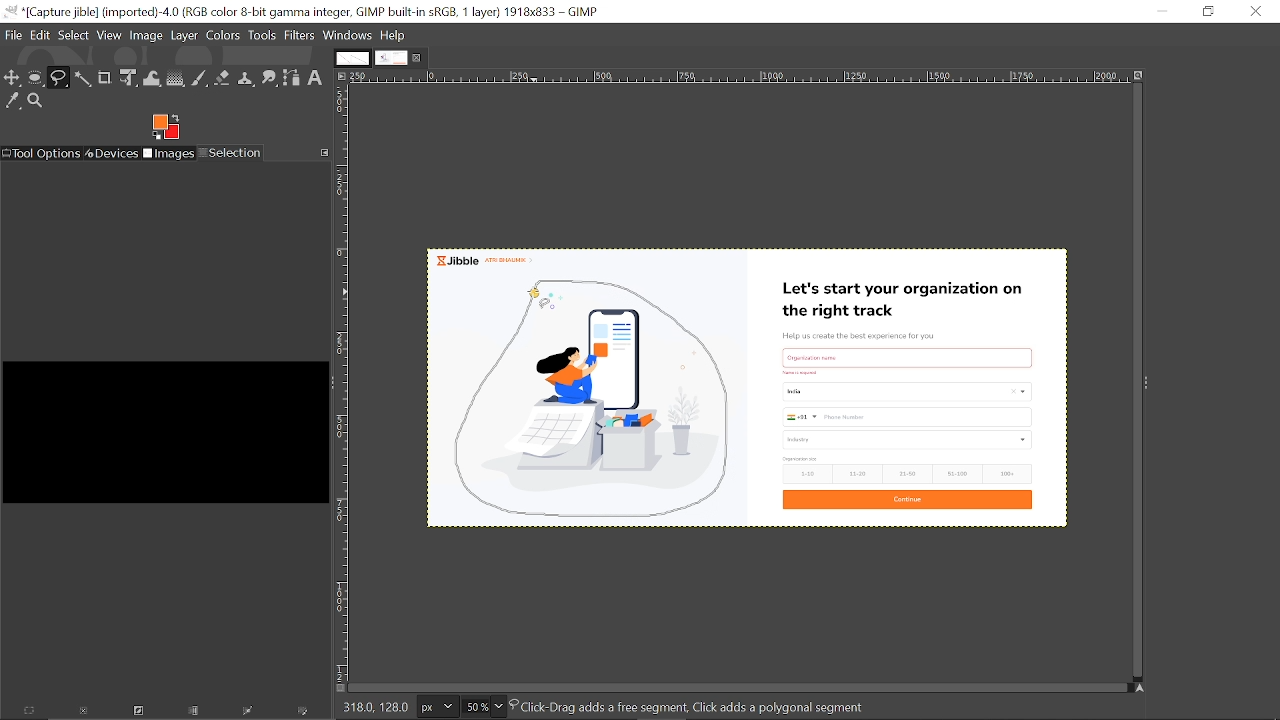 The image size is (1280, 720). I want to click on Color picker tool, so click(12, 100).